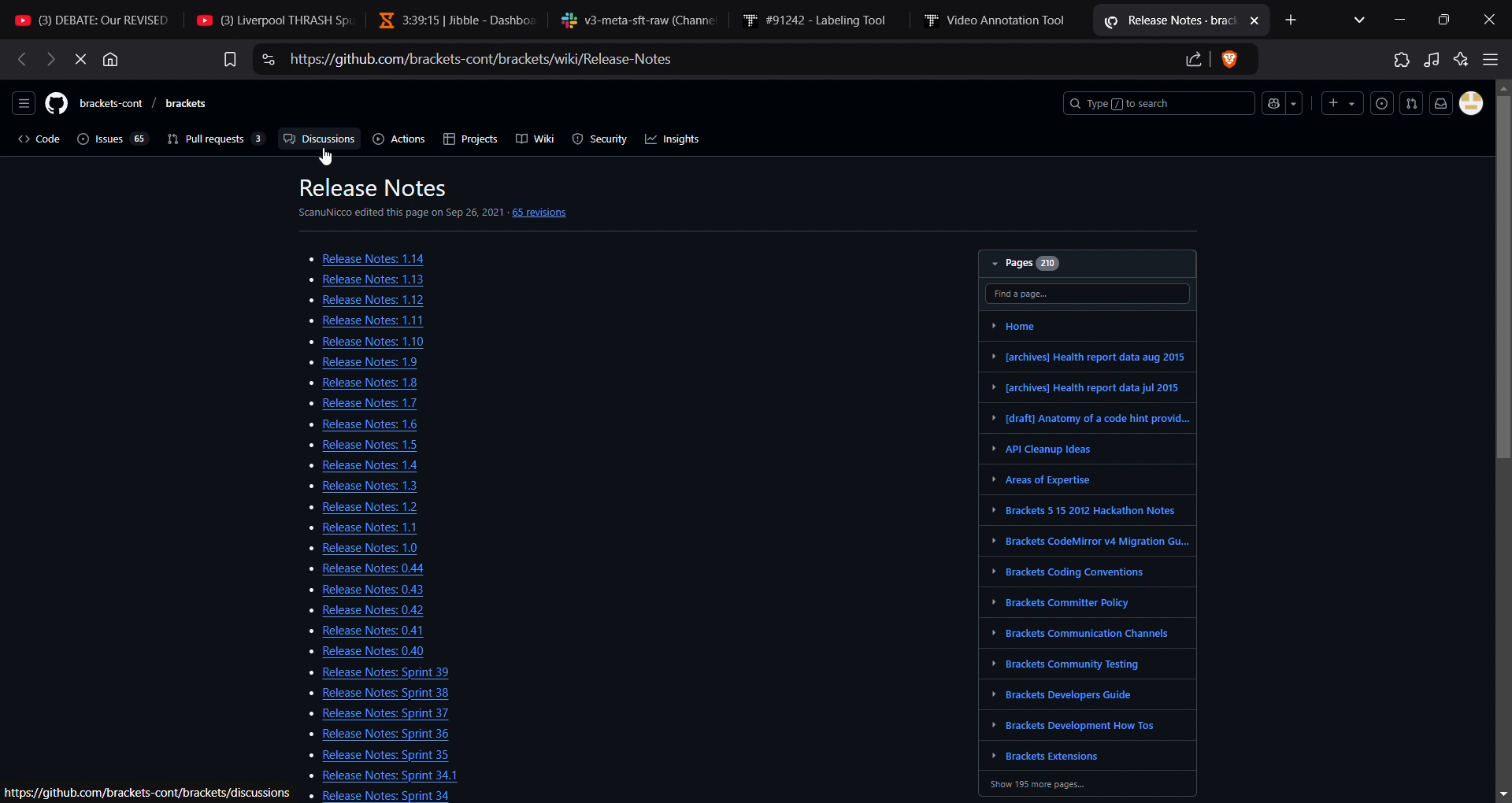 This screenshot has height=803, width=1512. What do you see at coordinates (1365, 19) in the screenshot?
I see `search tab` at bounding box center [1365, 19].